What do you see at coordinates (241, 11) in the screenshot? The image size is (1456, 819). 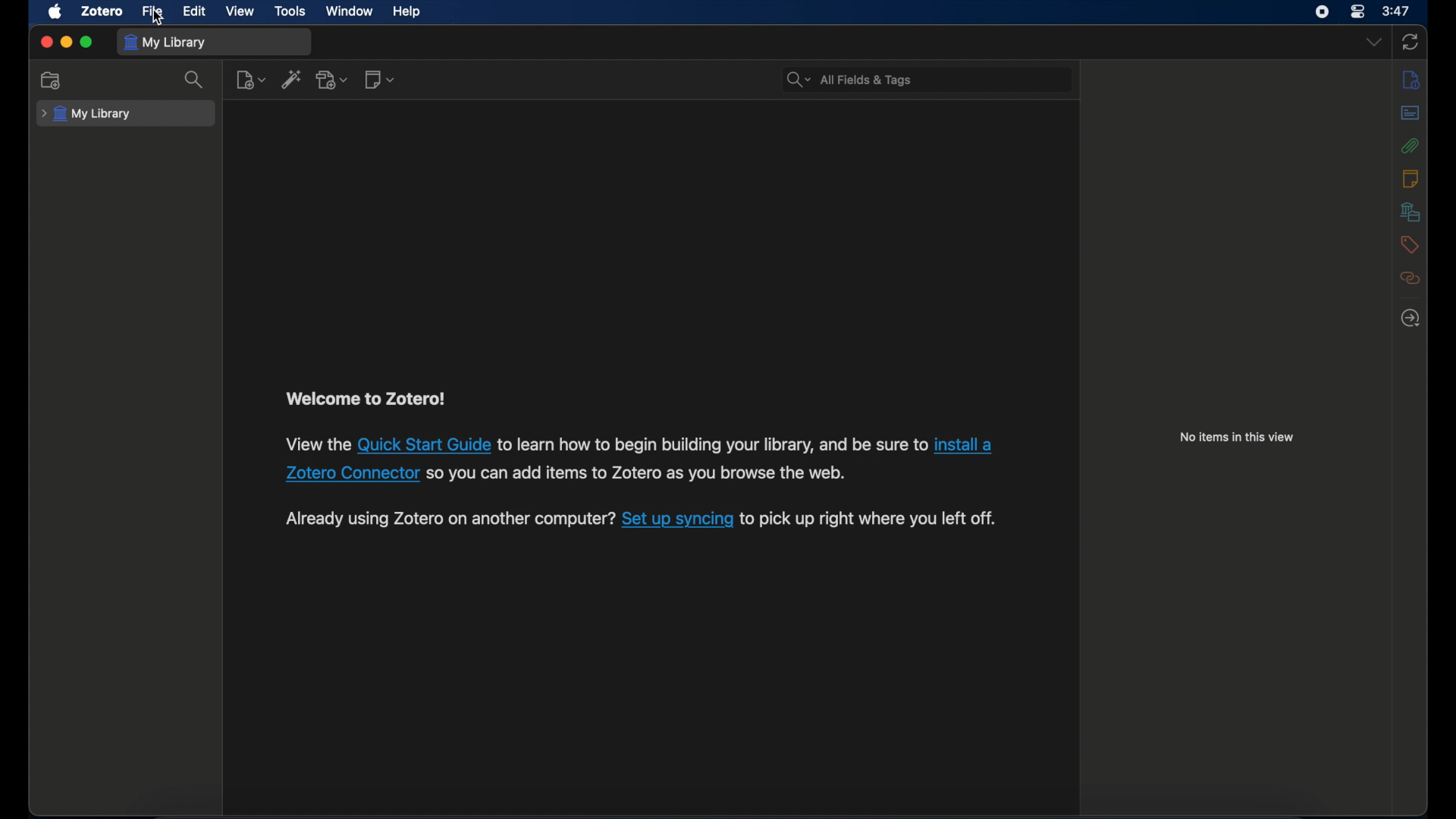 I see `view` at bounding box center [241, 11].